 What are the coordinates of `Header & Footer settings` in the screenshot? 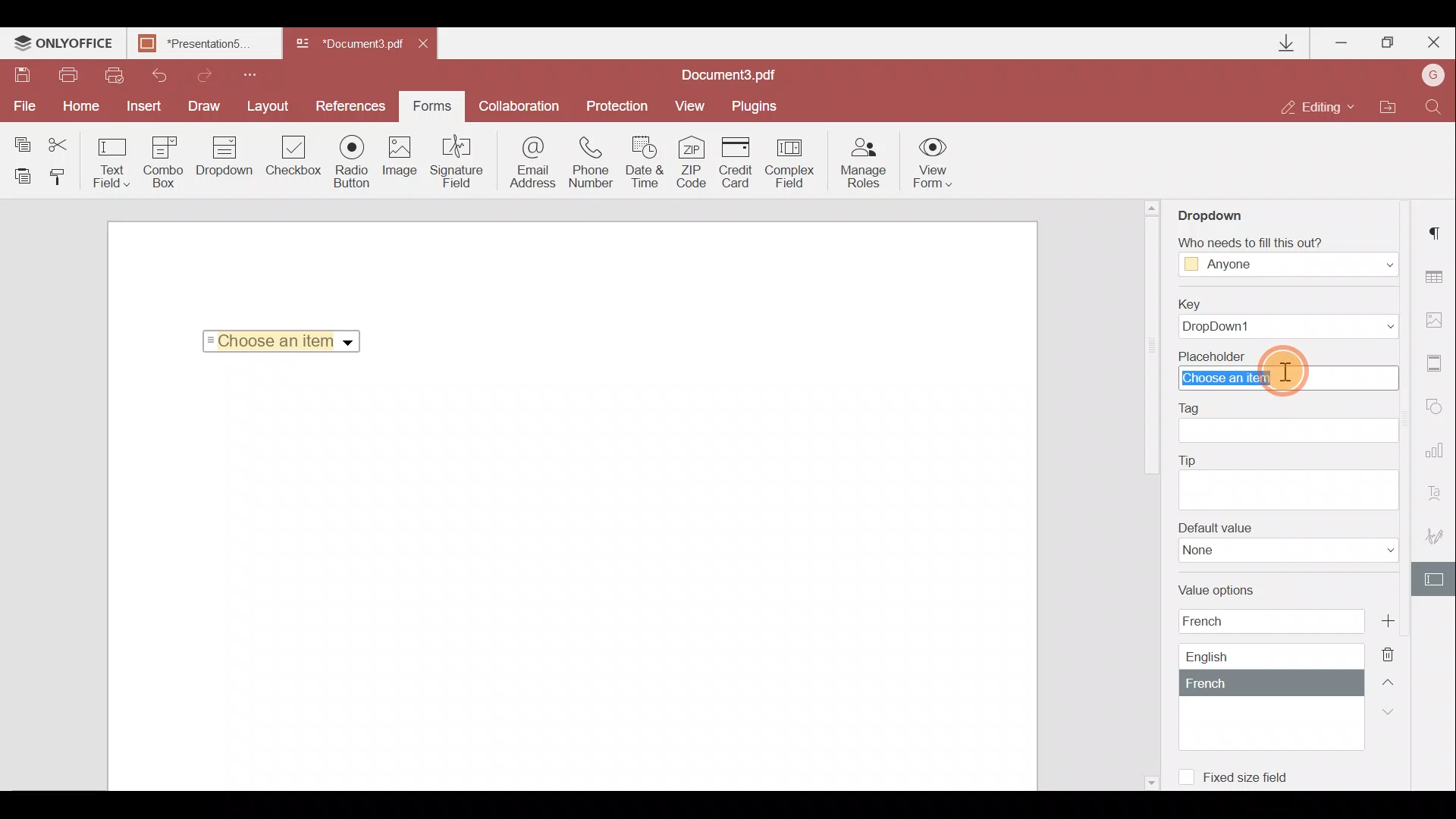 It's located at (1438, 366).